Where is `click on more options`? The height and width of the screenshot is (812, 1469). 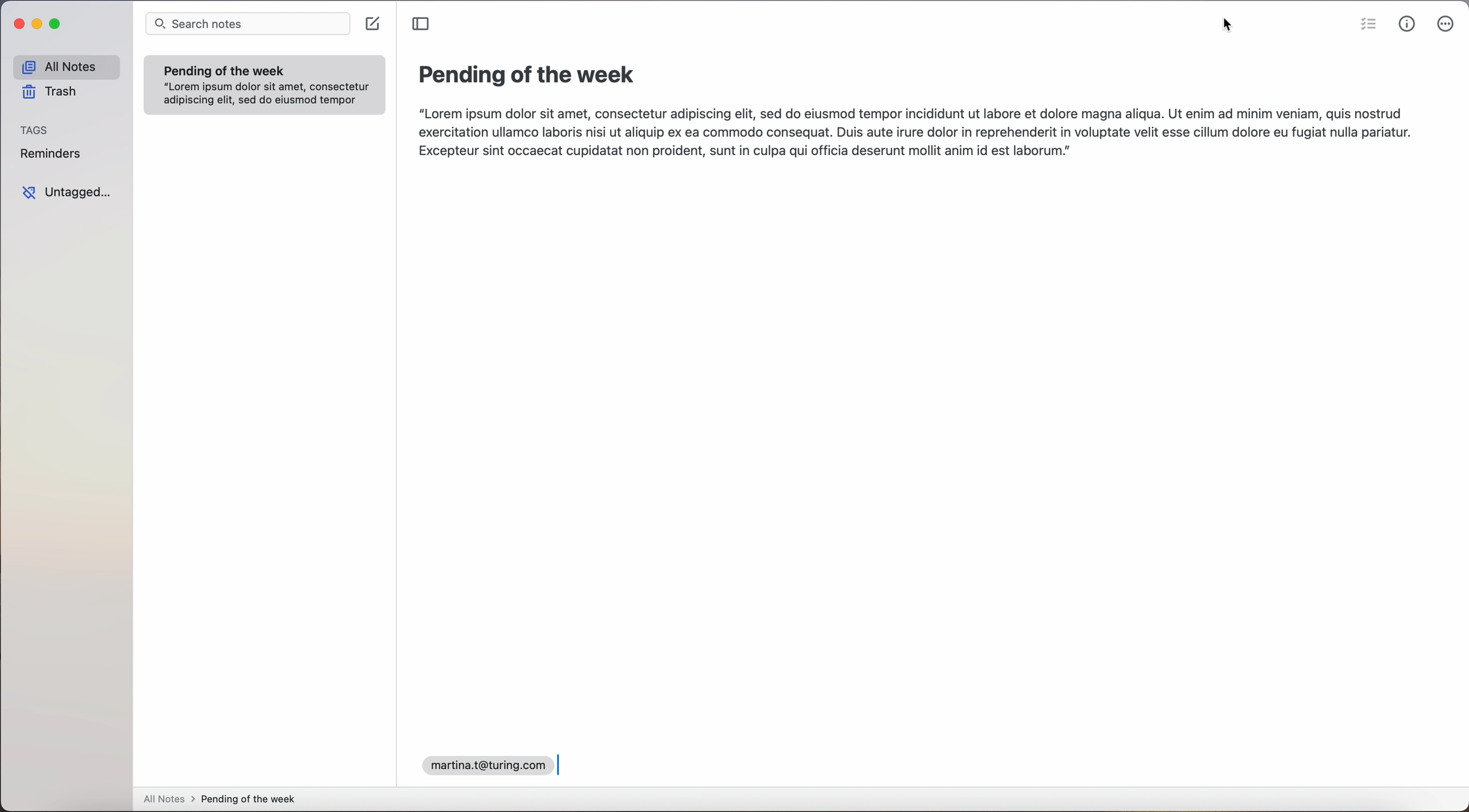
click on more options is located at coordinates (1447, 25).